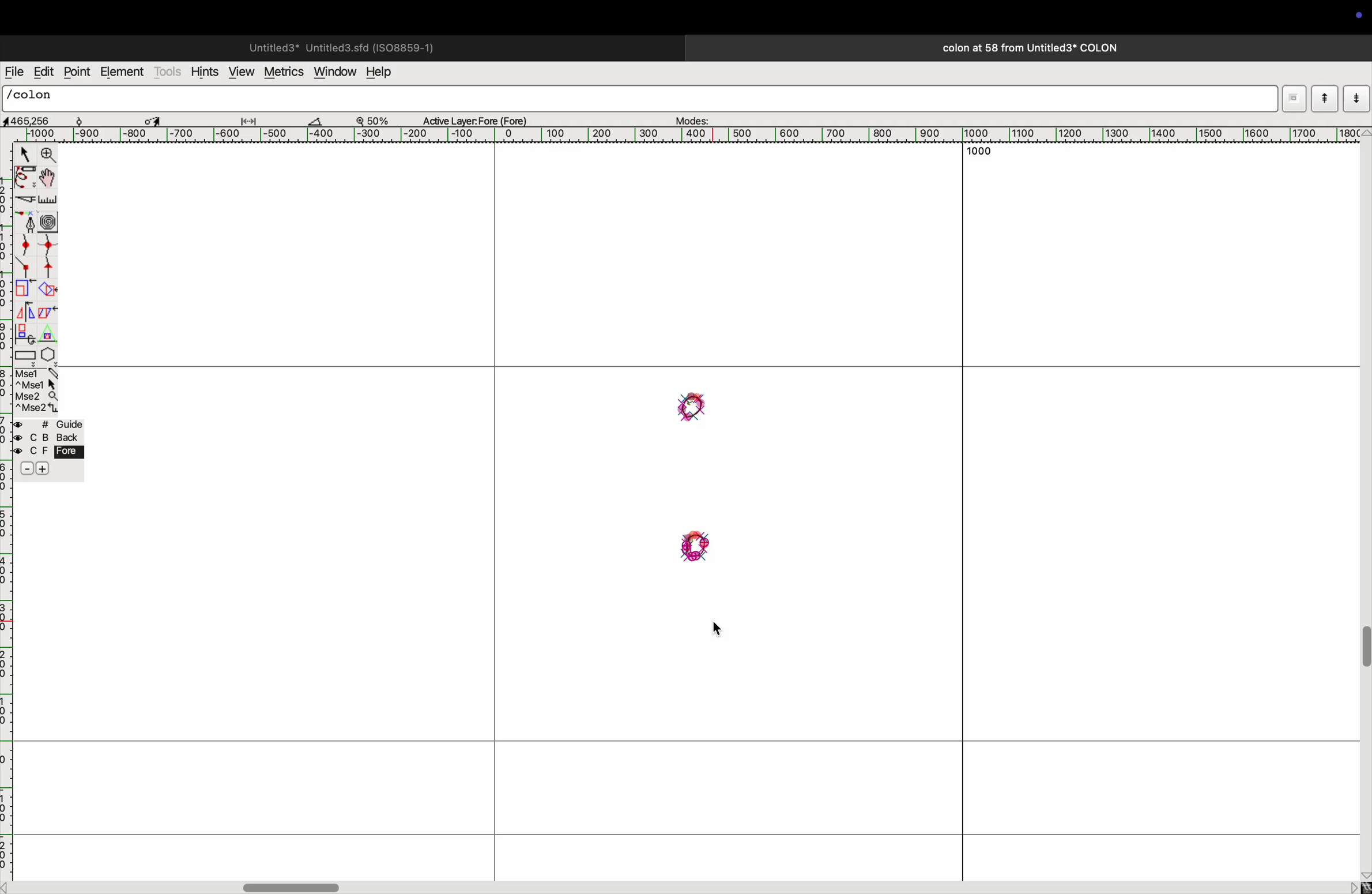  What do you see at coordinates (48, 345) in the screenshot?
I see `pentagon` at bounding box center [48, 345].